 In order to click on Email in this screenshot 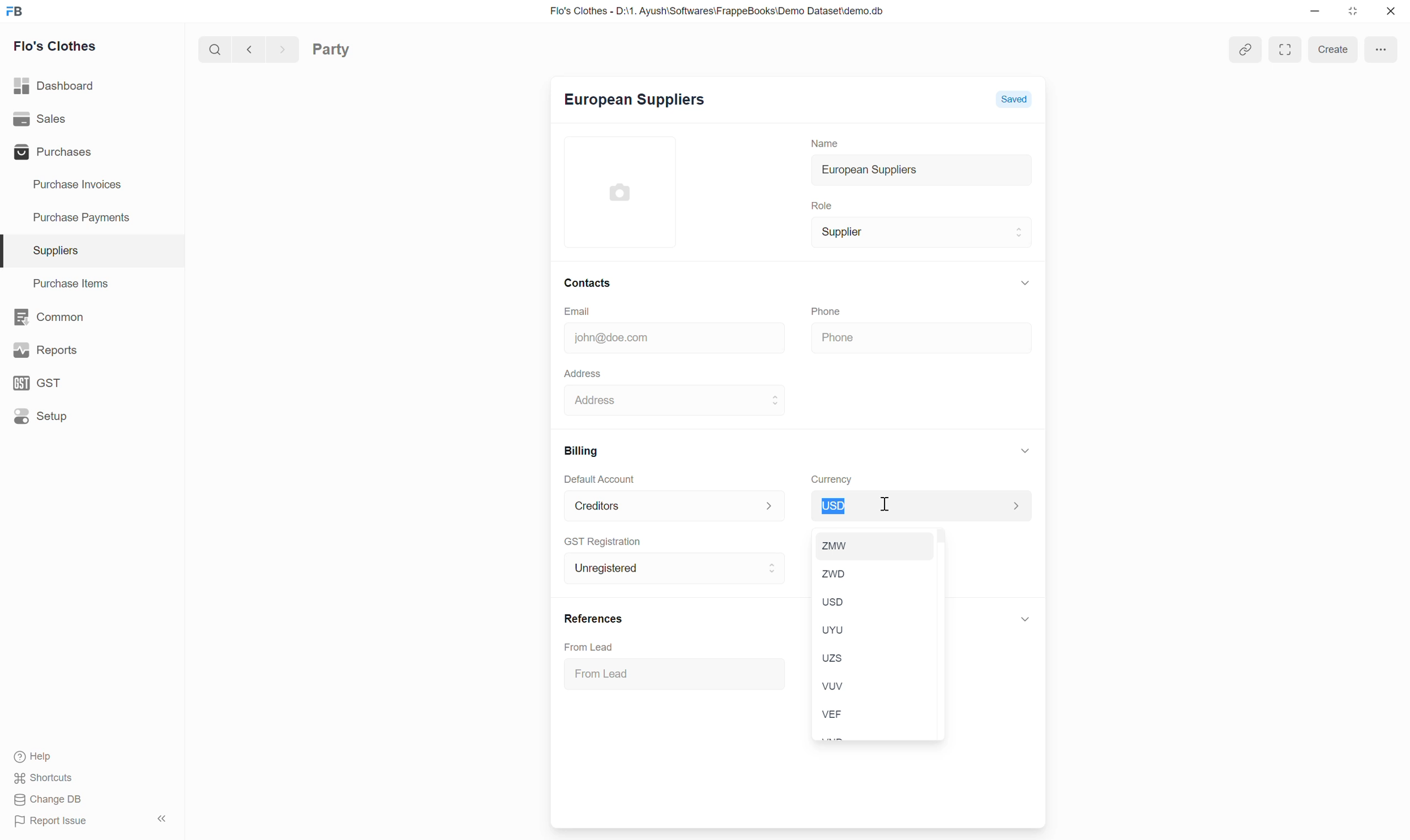, I will do `click(601, 309)`.